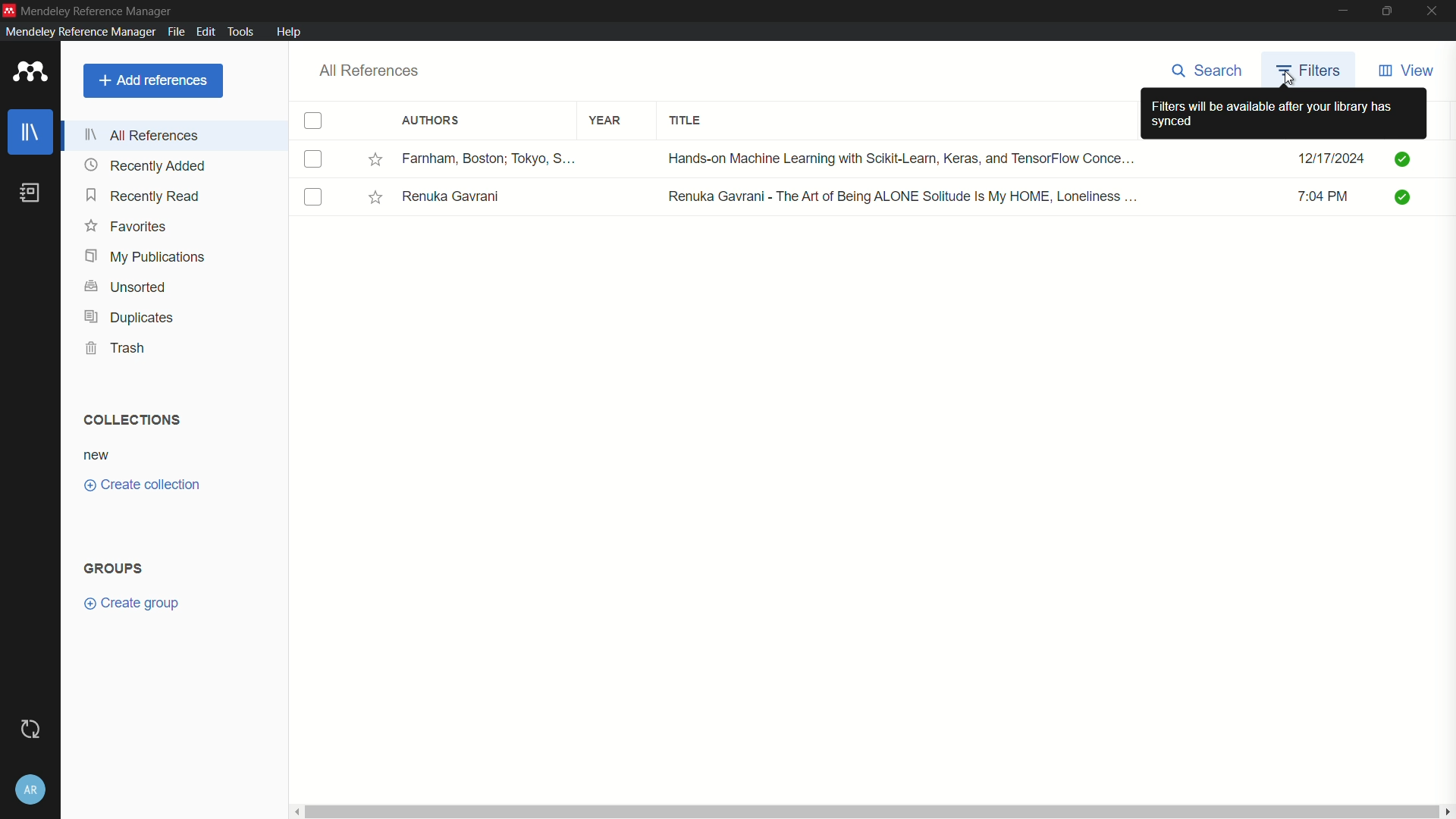 The height and width of the screenshot is (819, 1456). Describe the element at coordinates (1404, 73) in the screenshot. I see `view` at that location.